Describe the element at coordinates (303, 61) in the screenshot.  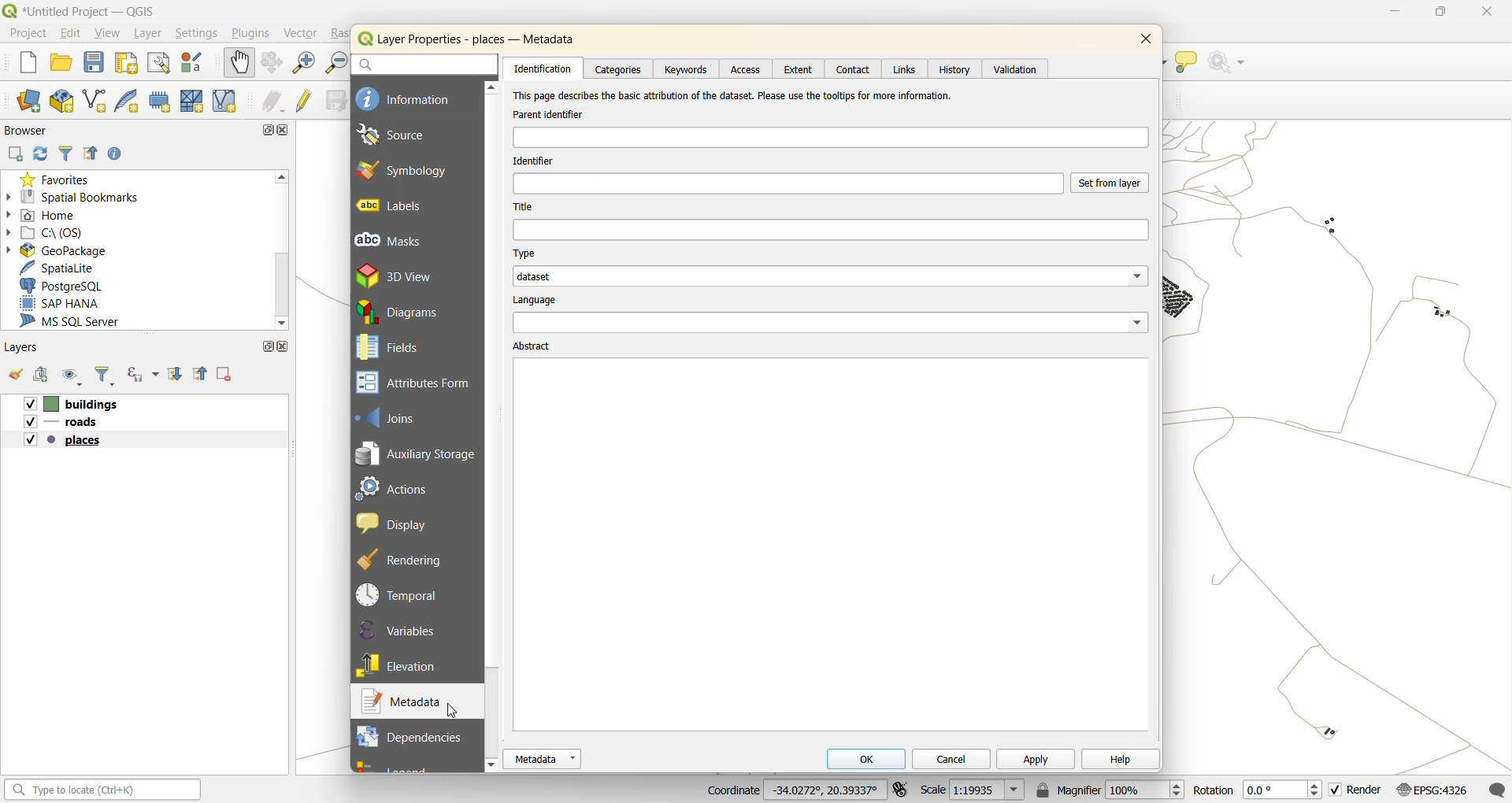
I see `zoom in` at that location.